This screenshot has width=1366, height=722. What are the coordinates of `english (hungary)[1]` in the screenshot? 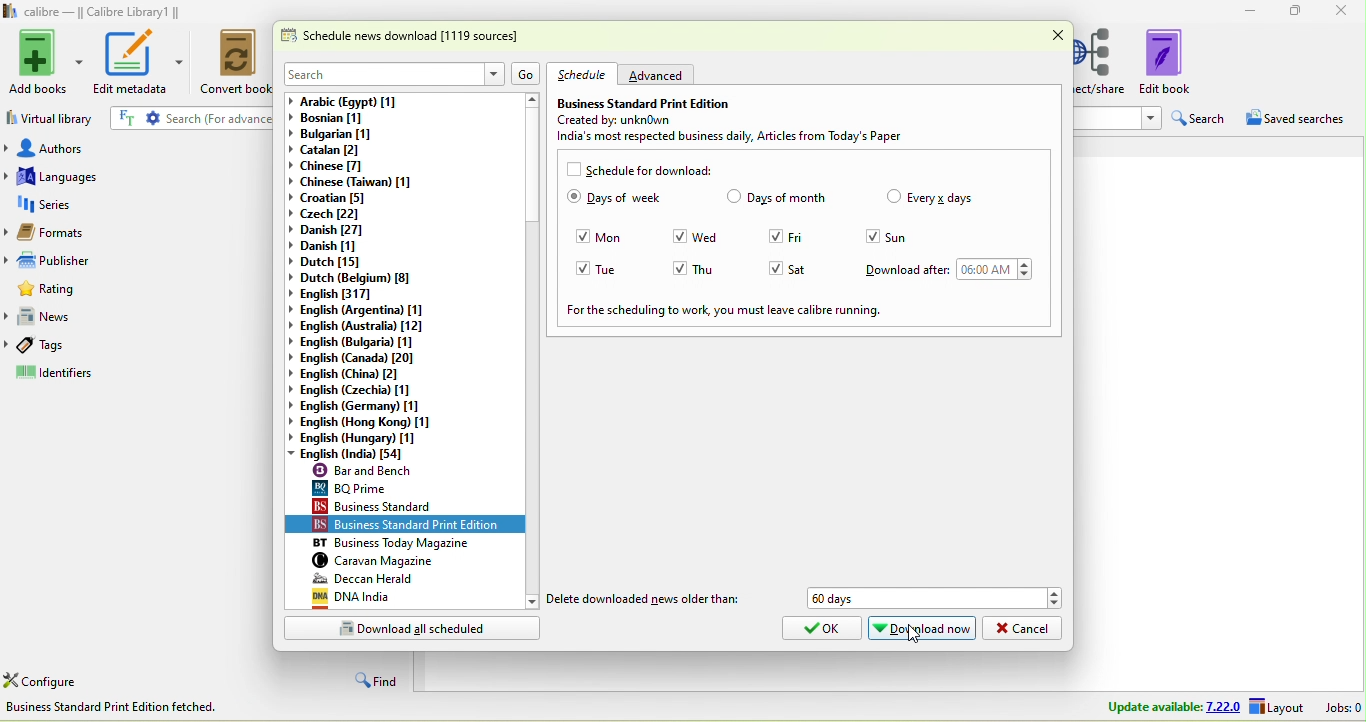 It's located at (369, 439).